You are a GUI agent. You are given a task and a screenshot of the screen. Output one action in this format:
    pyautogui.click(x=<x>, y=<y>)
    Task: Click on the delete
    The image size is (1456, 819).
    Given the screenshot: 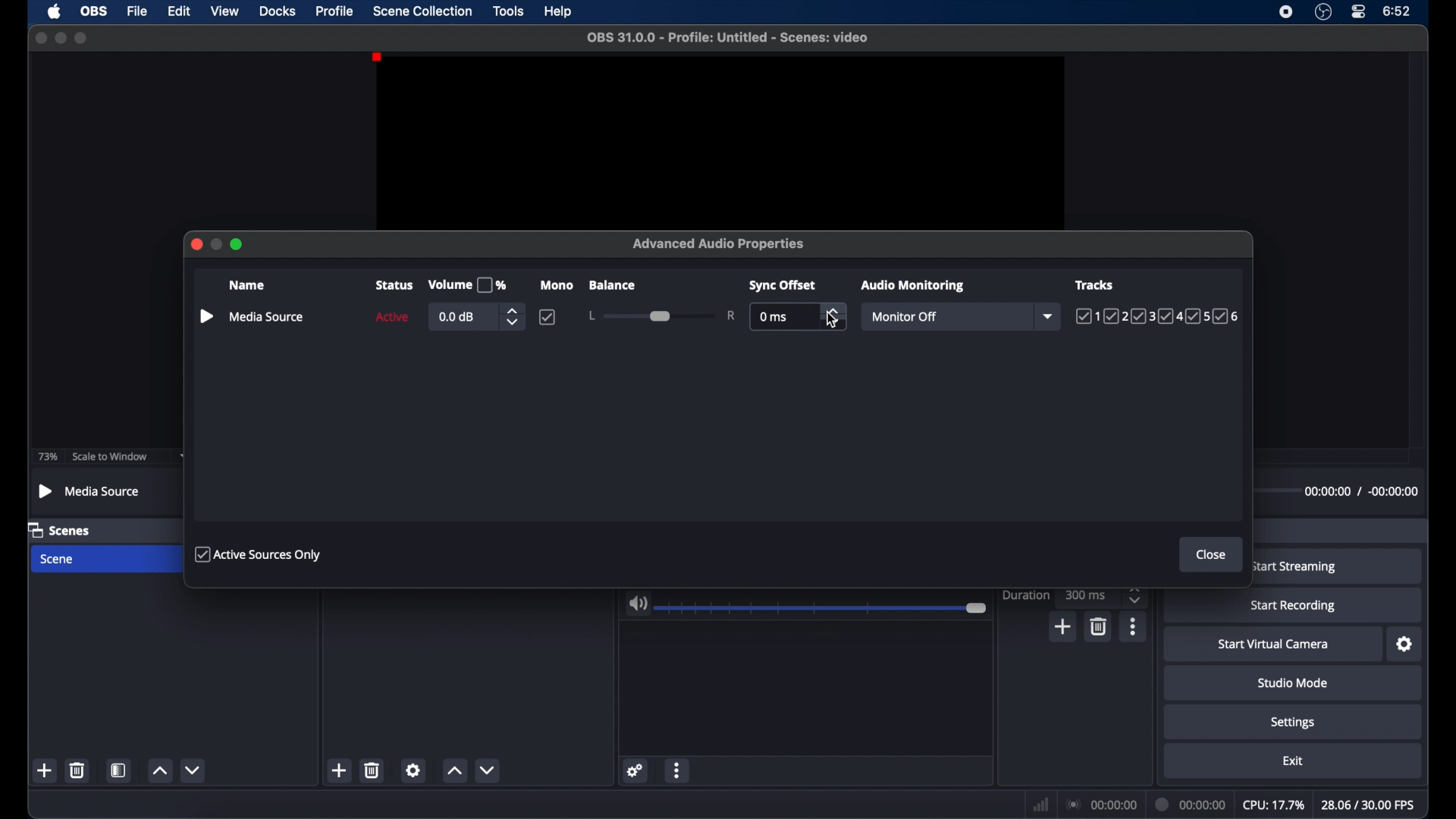 What is the action you would take?
    pyautogui.click(x=1100, y=627)
    